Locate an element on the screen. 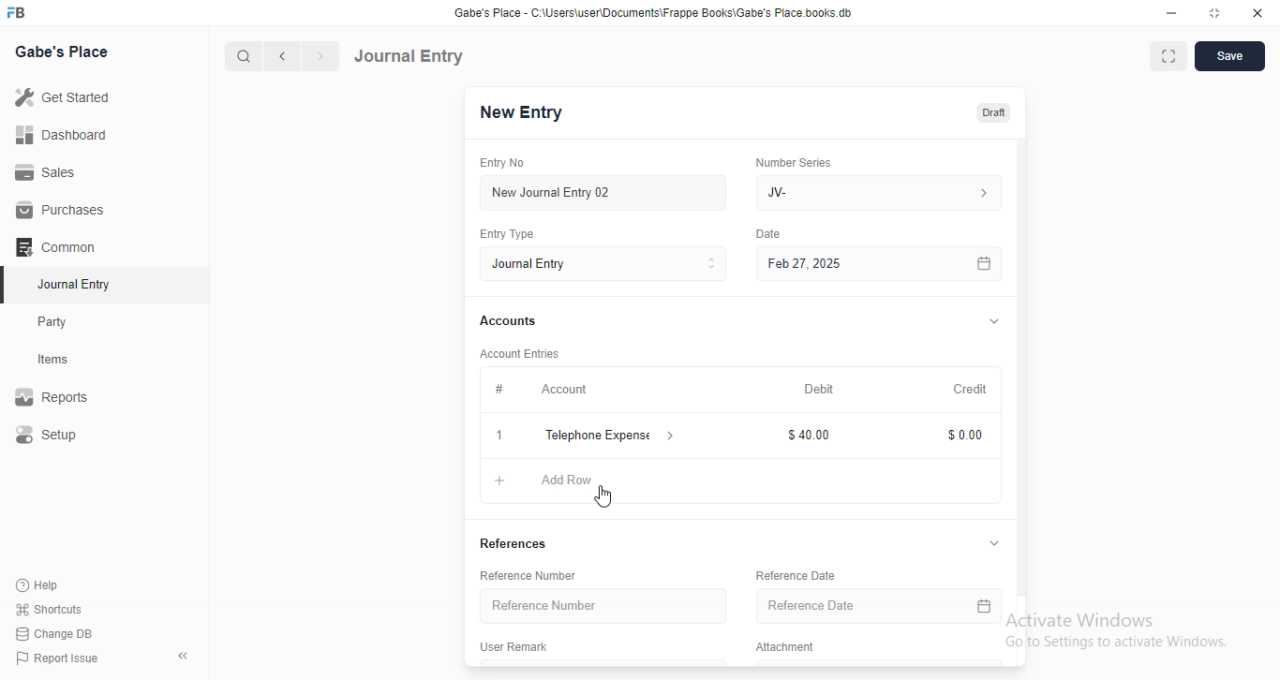 This screenshot has width=1280, height=680. Purchases is located at coordinates (56, 208).